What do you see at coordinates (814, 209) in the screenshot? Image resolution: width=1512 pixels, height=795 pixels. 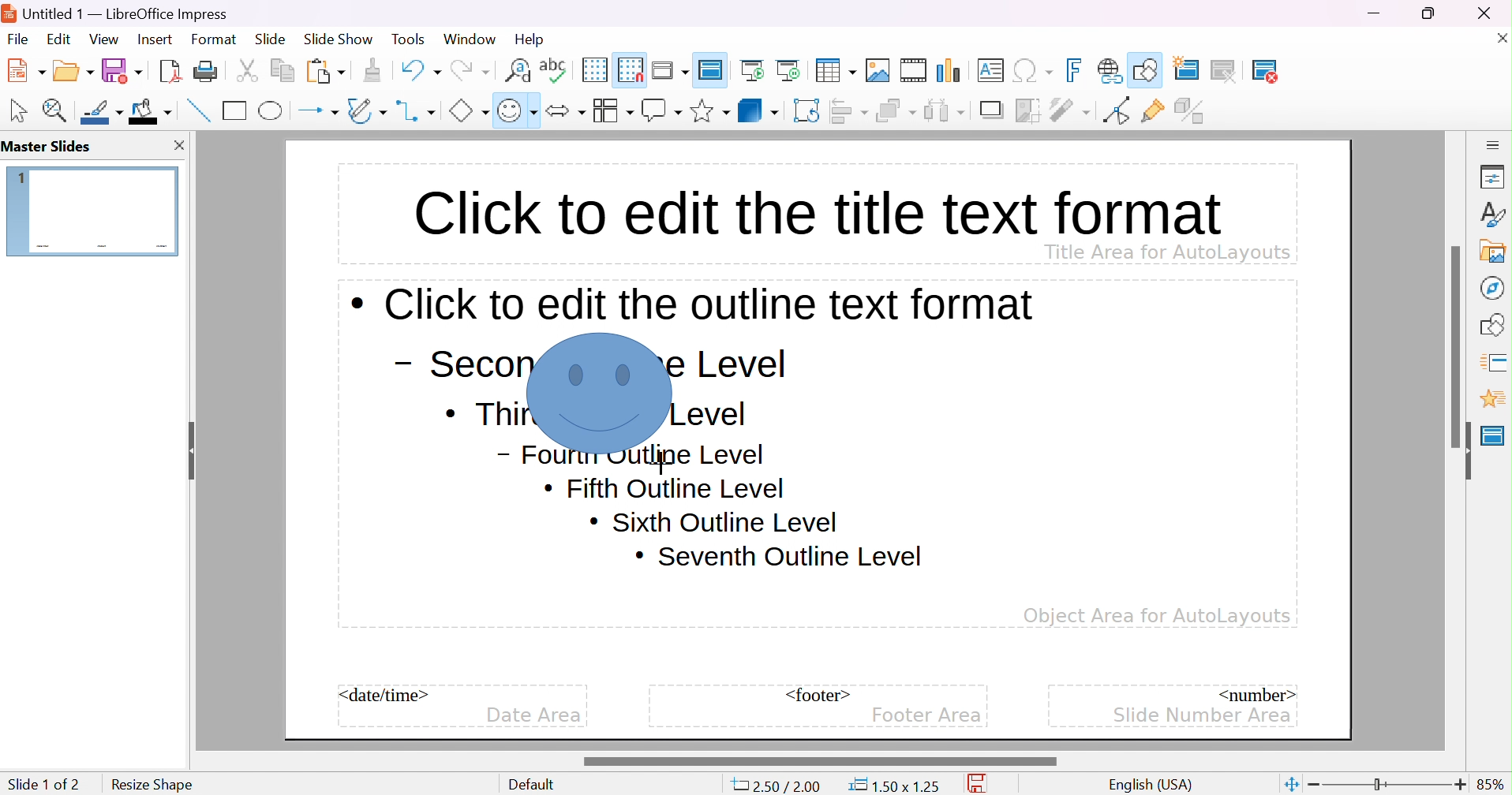 I see `click to edit the title text format` at bounding box center [814, 209].